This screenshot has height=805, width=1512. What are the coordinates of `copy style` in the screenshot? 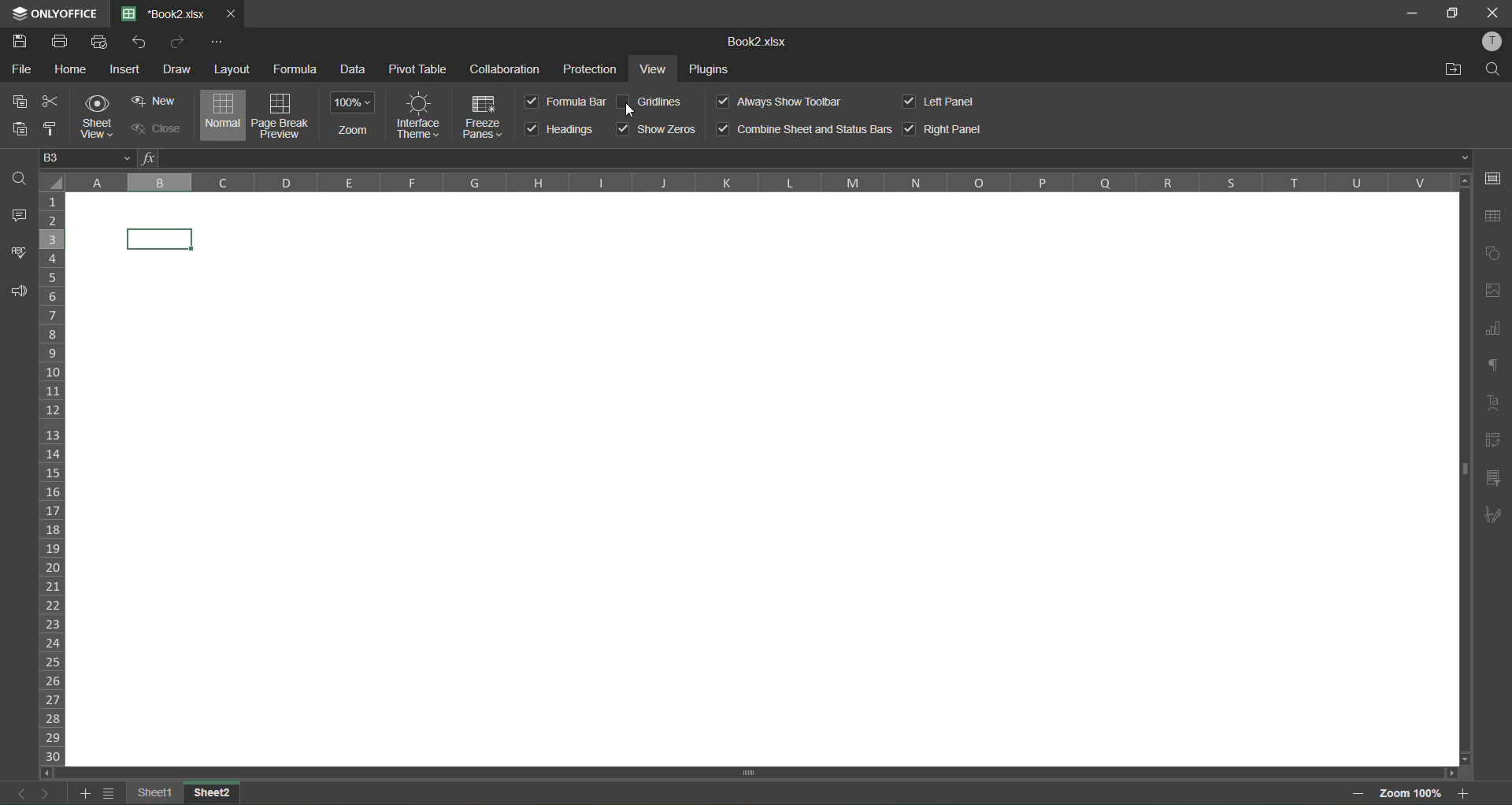 It's located at (52, 129).